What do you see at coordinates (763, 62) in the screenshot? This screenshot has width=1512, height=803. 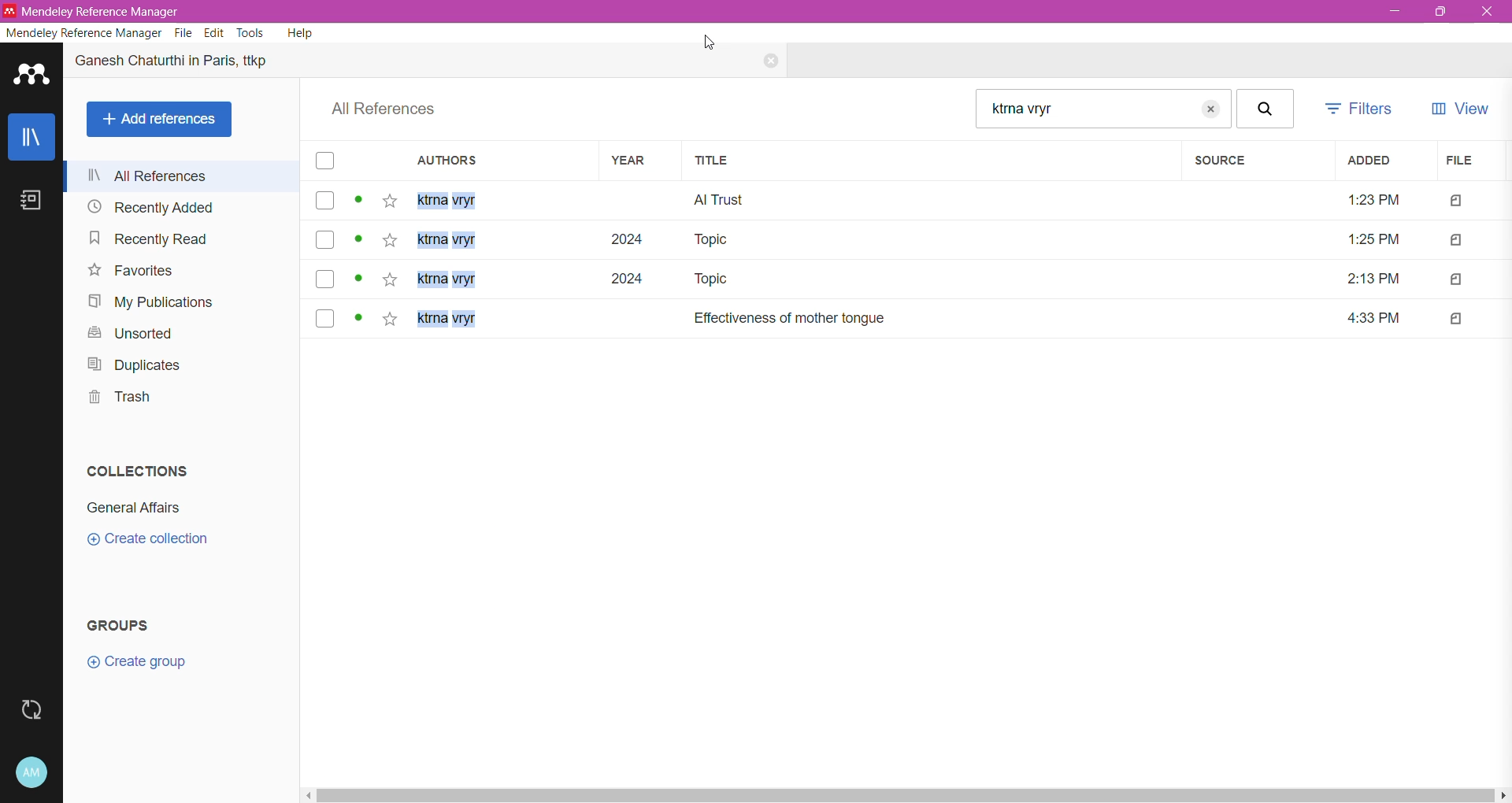 I see `Close` at bounding box center [763, 62].